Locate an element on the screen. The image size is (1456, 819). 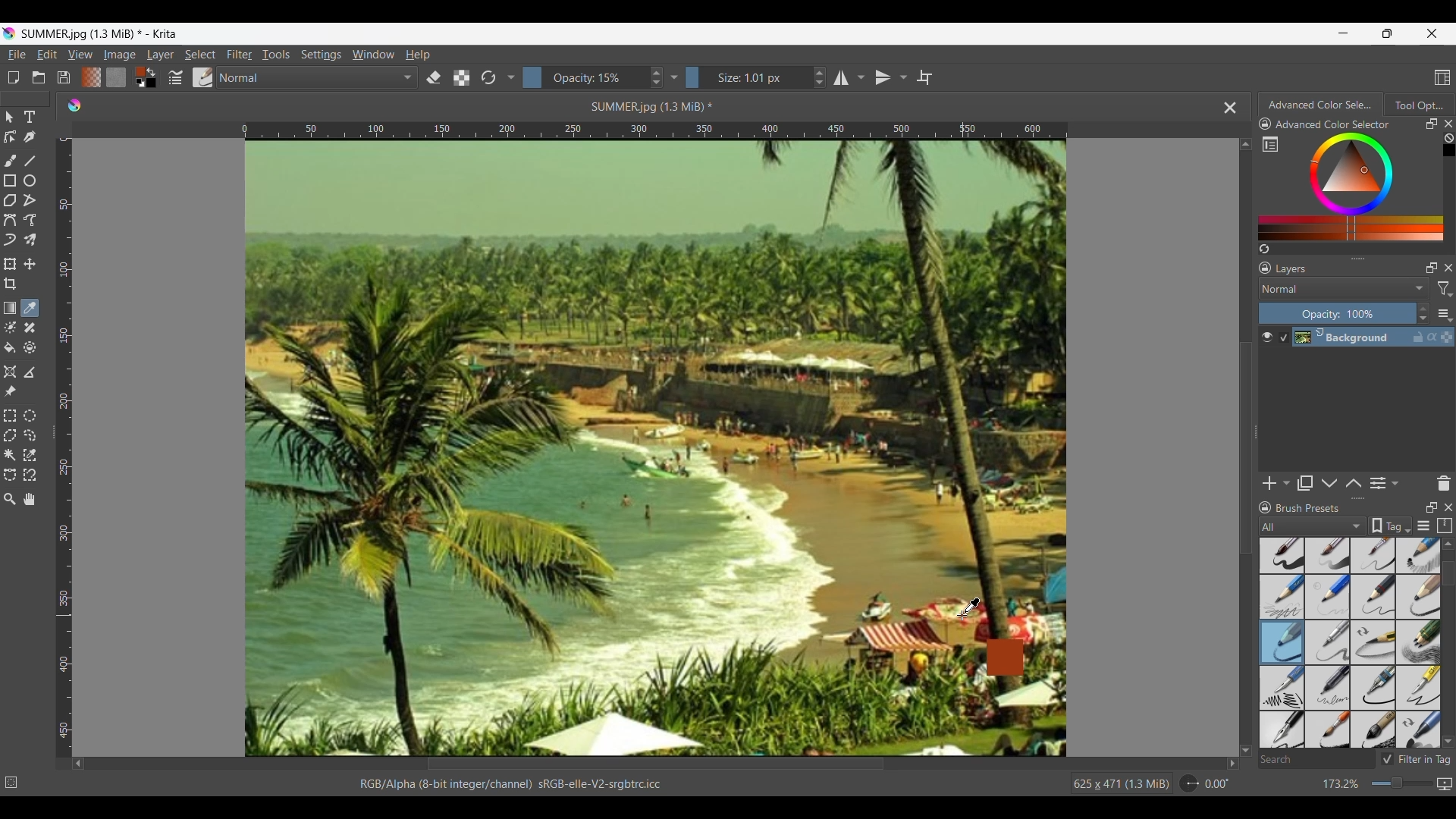
Change zoom is located at coordinates (1401, 783).